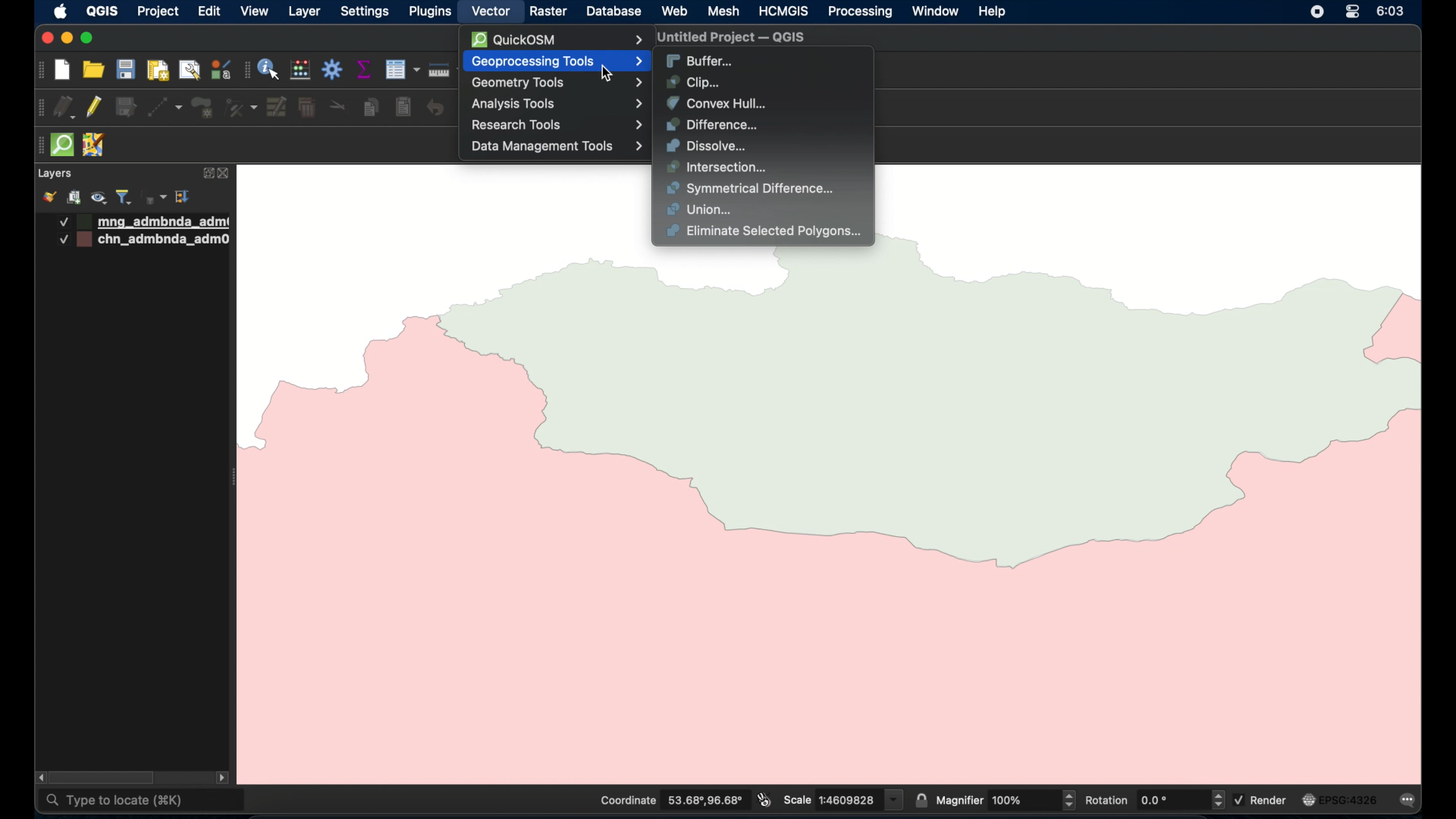 The width and height of the screenshot is (1456, 819). What do you see at coordinates (41, 108) in the screenshot?
I see `drag handles` at bounding box center [41, 108].